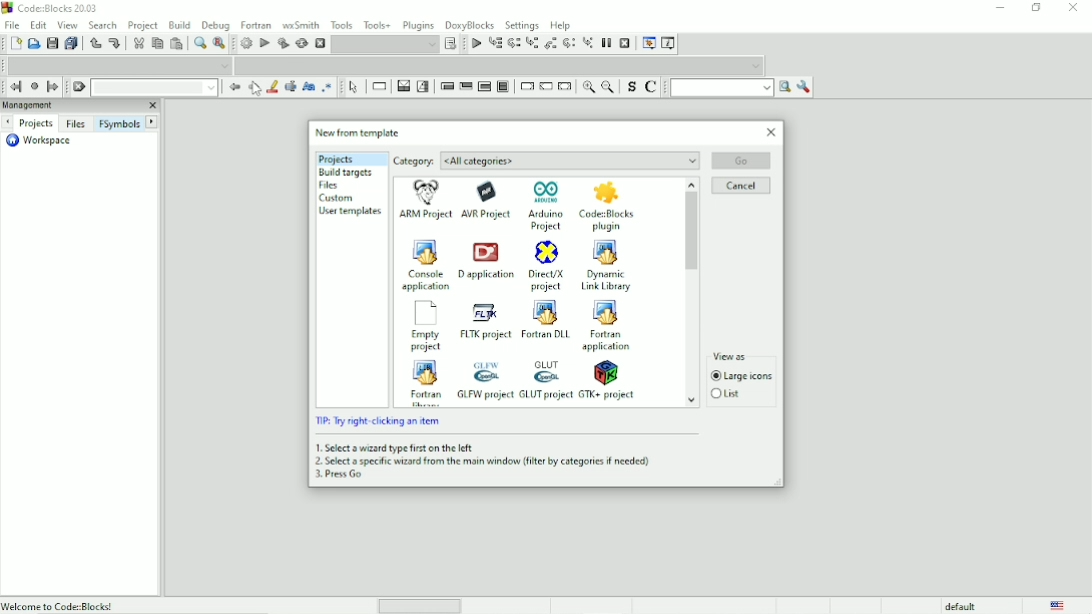 This screenshot has height=614, width=1092. What do you see at coordinates (379, 421) in the screenshot?
I see `Tip` at bounding box center [379, 421].